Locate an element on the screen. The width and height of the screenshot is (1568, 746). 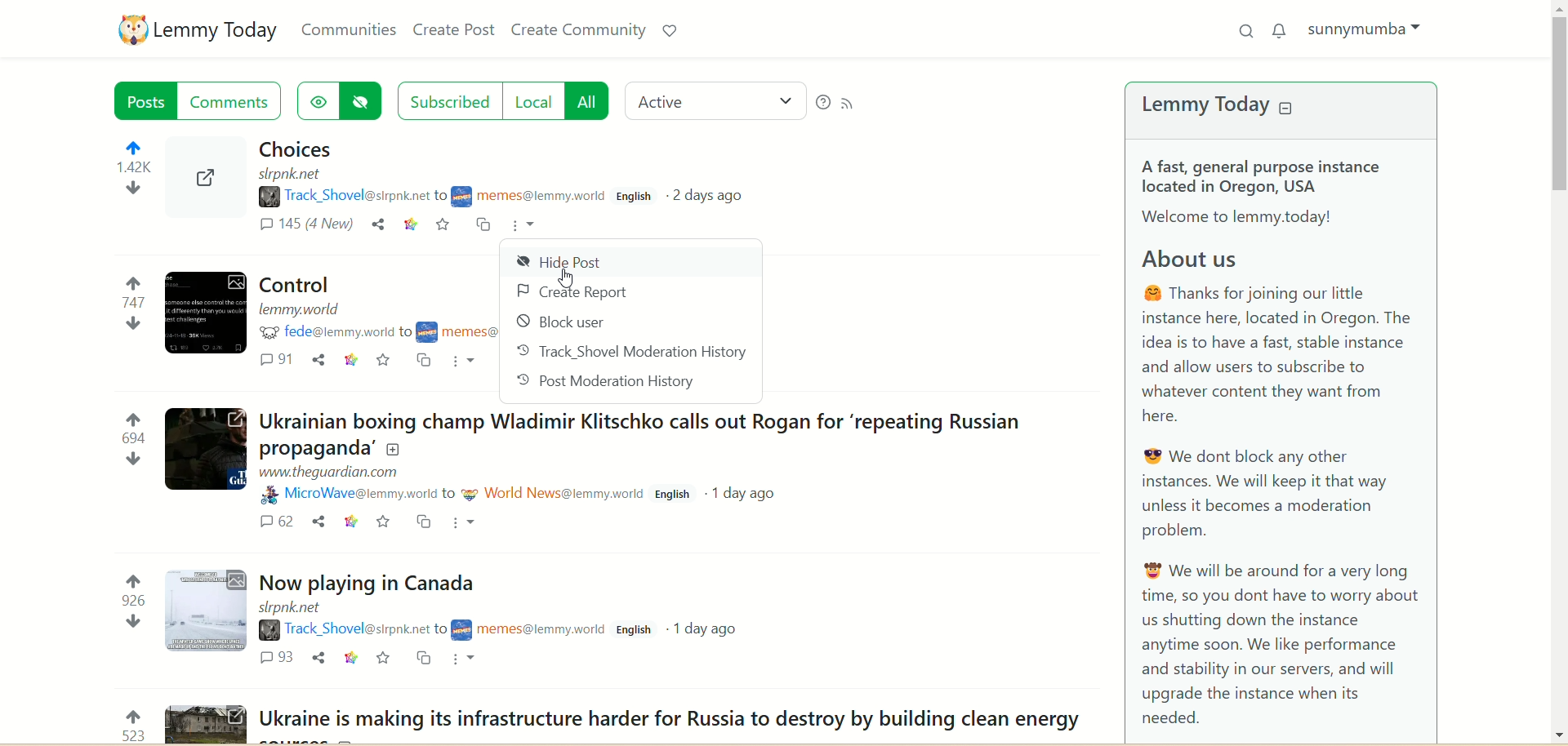
votes up and down is located at coordinates (121, 179).